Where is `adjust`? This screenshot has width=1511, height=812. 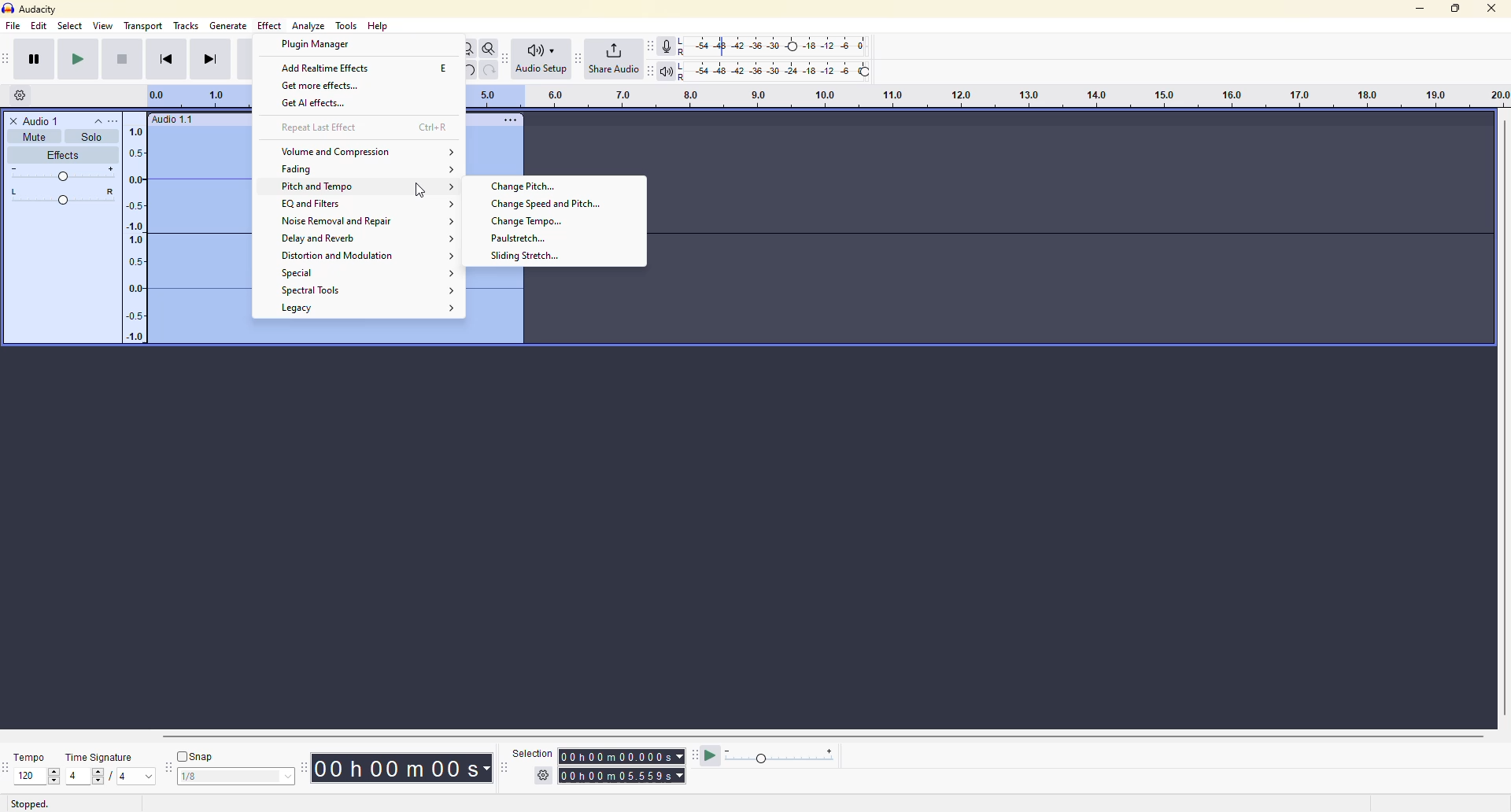
adjust is located at coordinates (64, 174).